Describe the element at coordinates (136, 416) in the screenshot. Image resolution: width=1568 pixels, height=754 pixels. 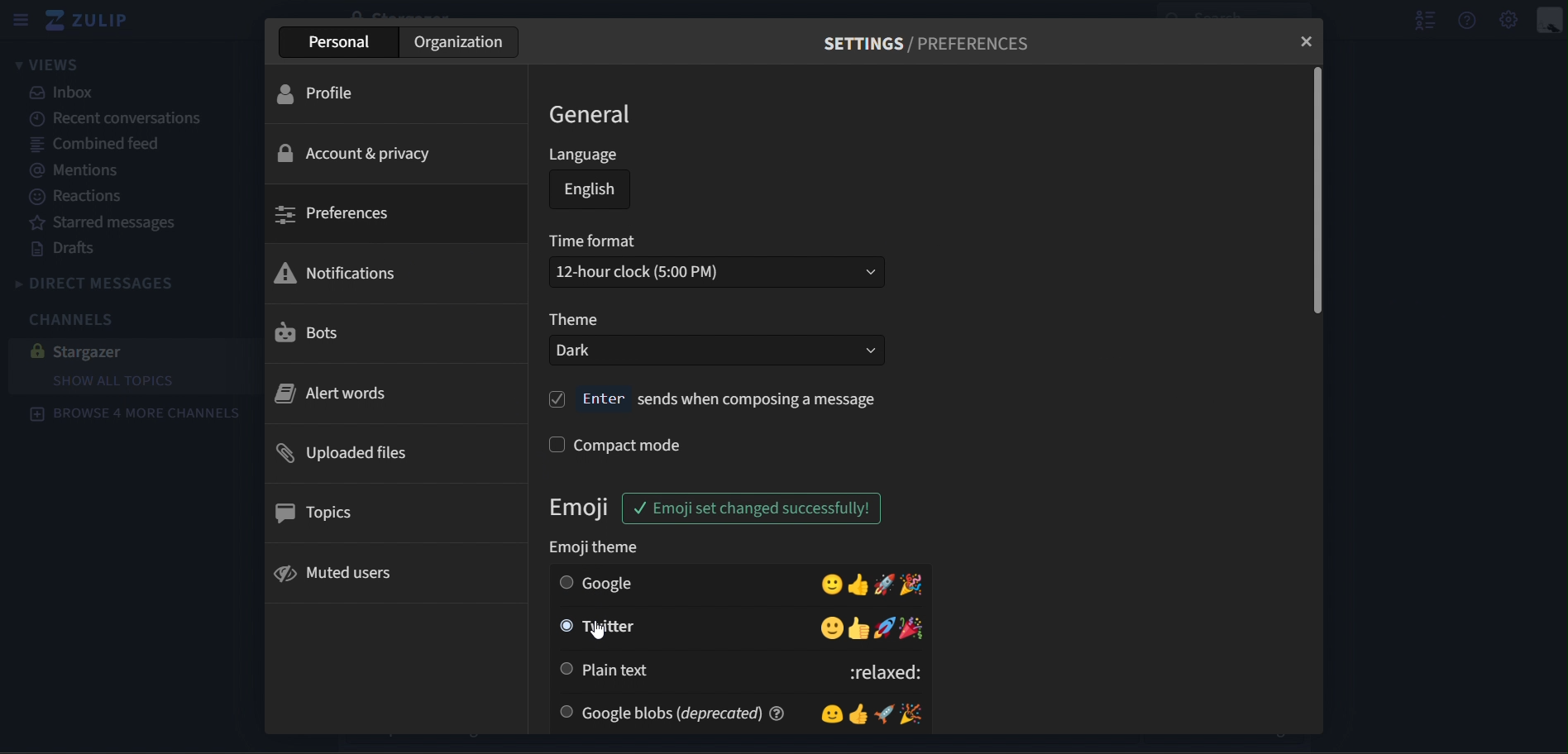
I see `browse 4 more channels` at that location.